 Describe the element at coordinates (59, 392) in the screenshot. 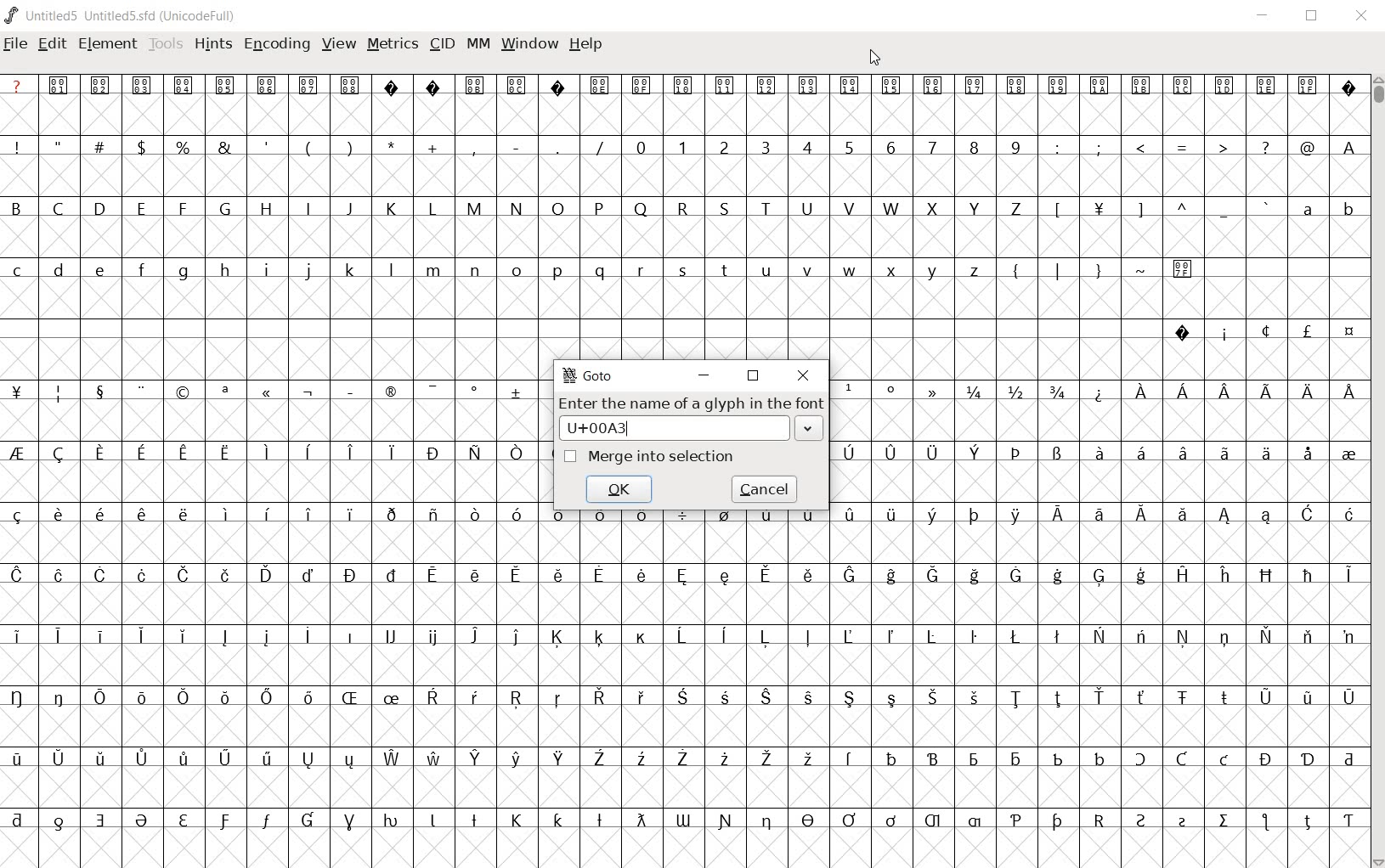

I see `Symbol` at that location.